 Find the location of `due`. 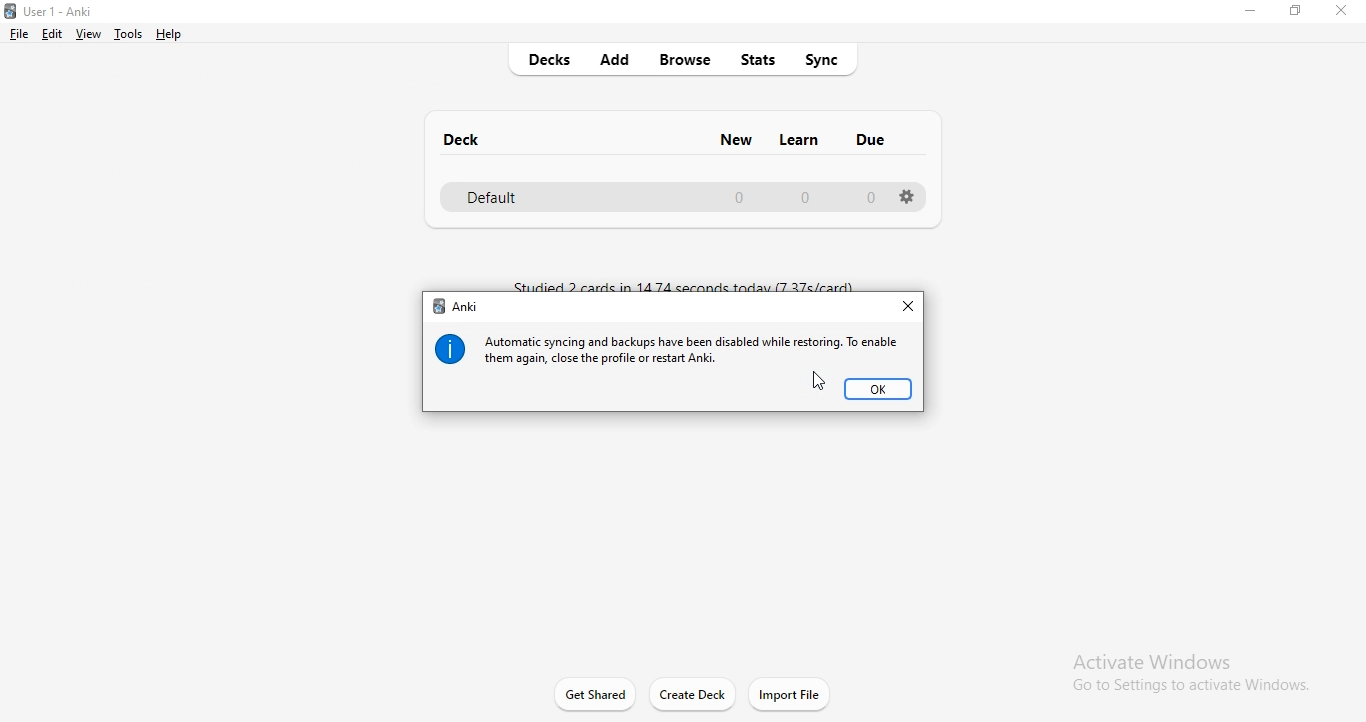

due is located at coordinates (871, 143).